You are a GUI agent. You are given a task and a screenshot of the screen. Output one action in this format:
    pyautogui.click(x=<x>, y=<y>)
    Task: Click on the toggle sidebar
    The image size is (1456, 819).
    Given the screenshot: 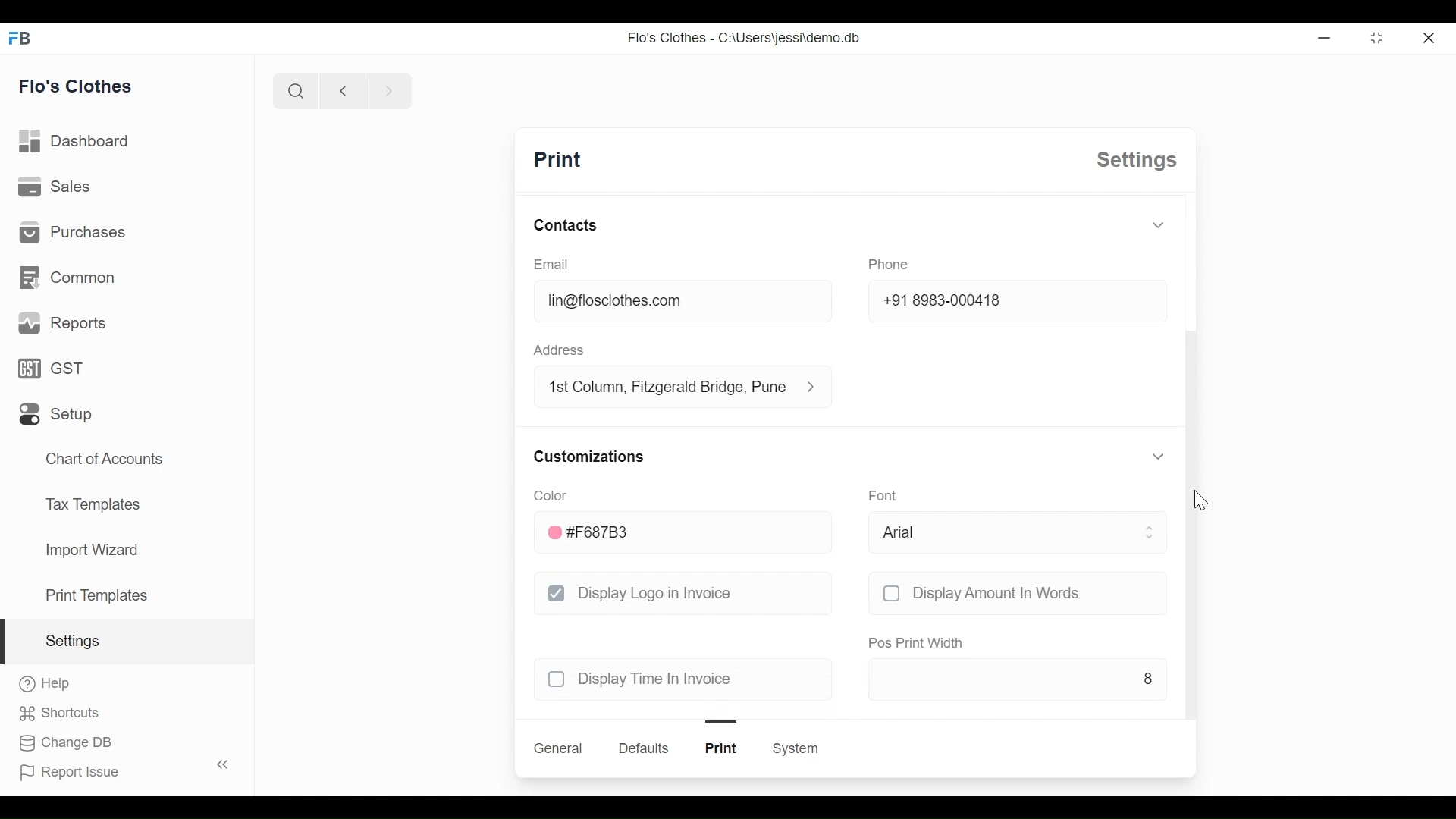 What is the action you would take?
    pyautogui.click(x=224, y=764)
    